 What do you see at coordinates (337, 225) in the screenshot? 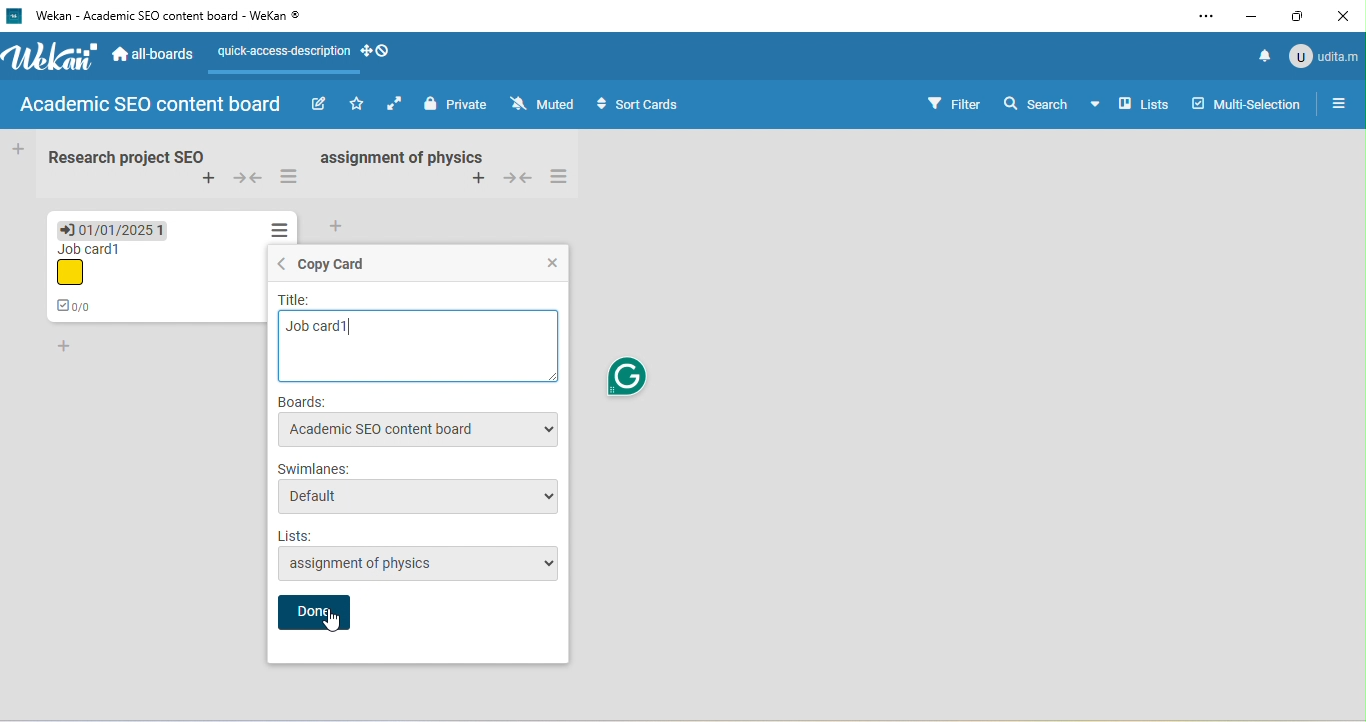
I see `add` at bounding box center [337, 225].